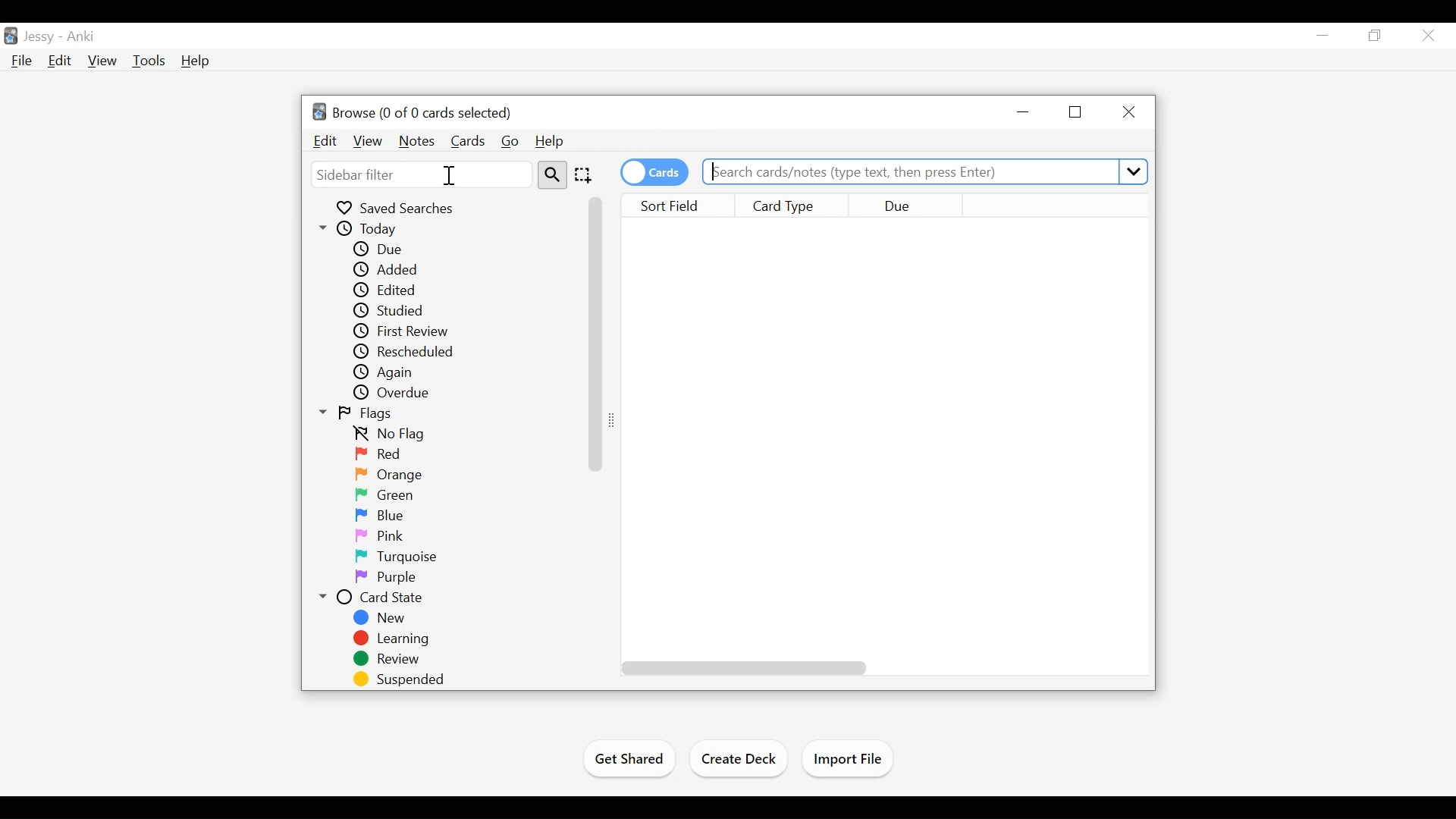 Image resolution: width=1456 pixels, height=819 pixels. Describe the element at coordinates (392, 270) in the screenshot. I see `Added` at that location.